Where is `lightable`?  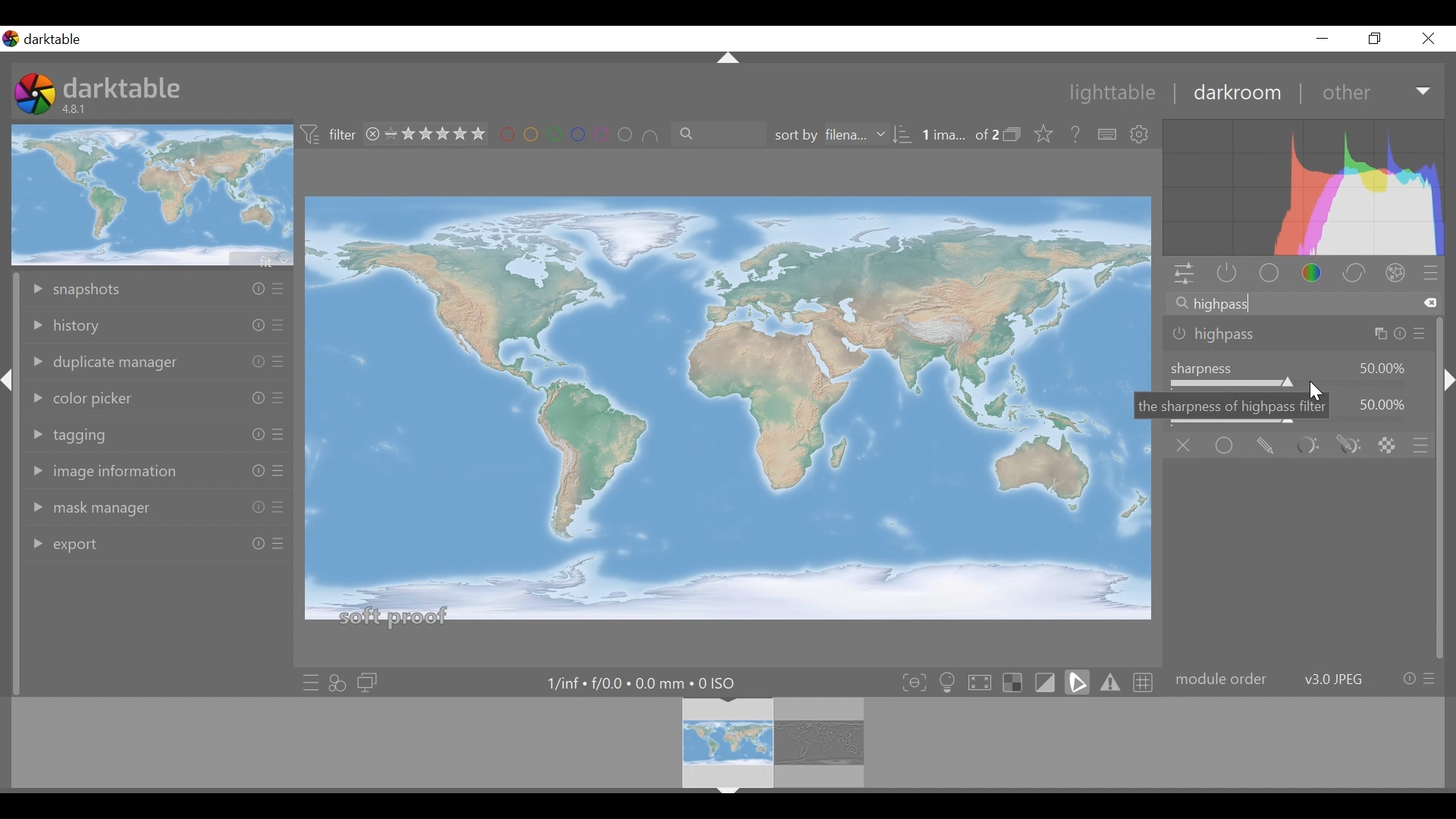 lightable is located at coordinates (1113, 93).